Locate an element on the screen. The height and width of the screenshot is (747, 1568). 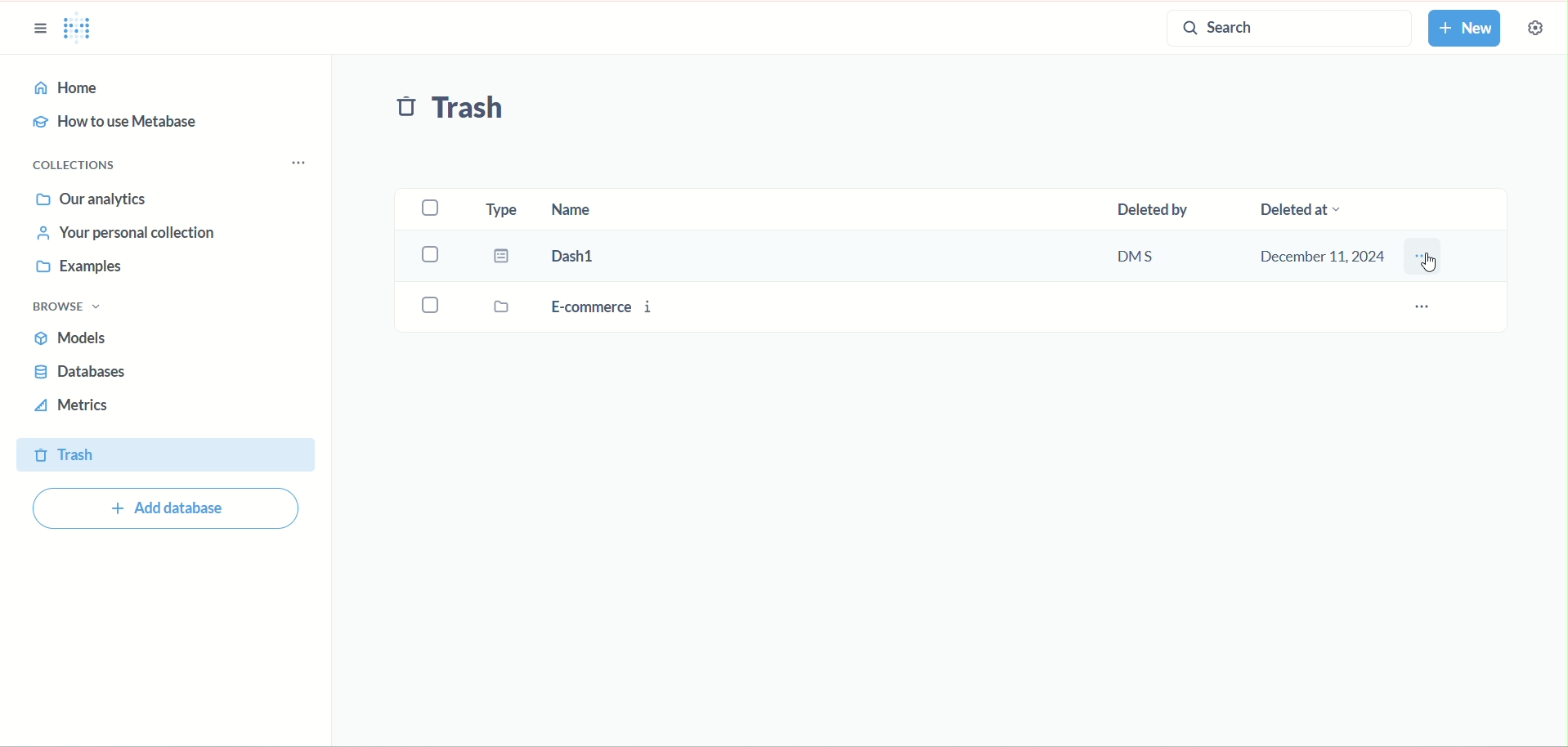
dashboard icon is located at coordinates (504, 258).